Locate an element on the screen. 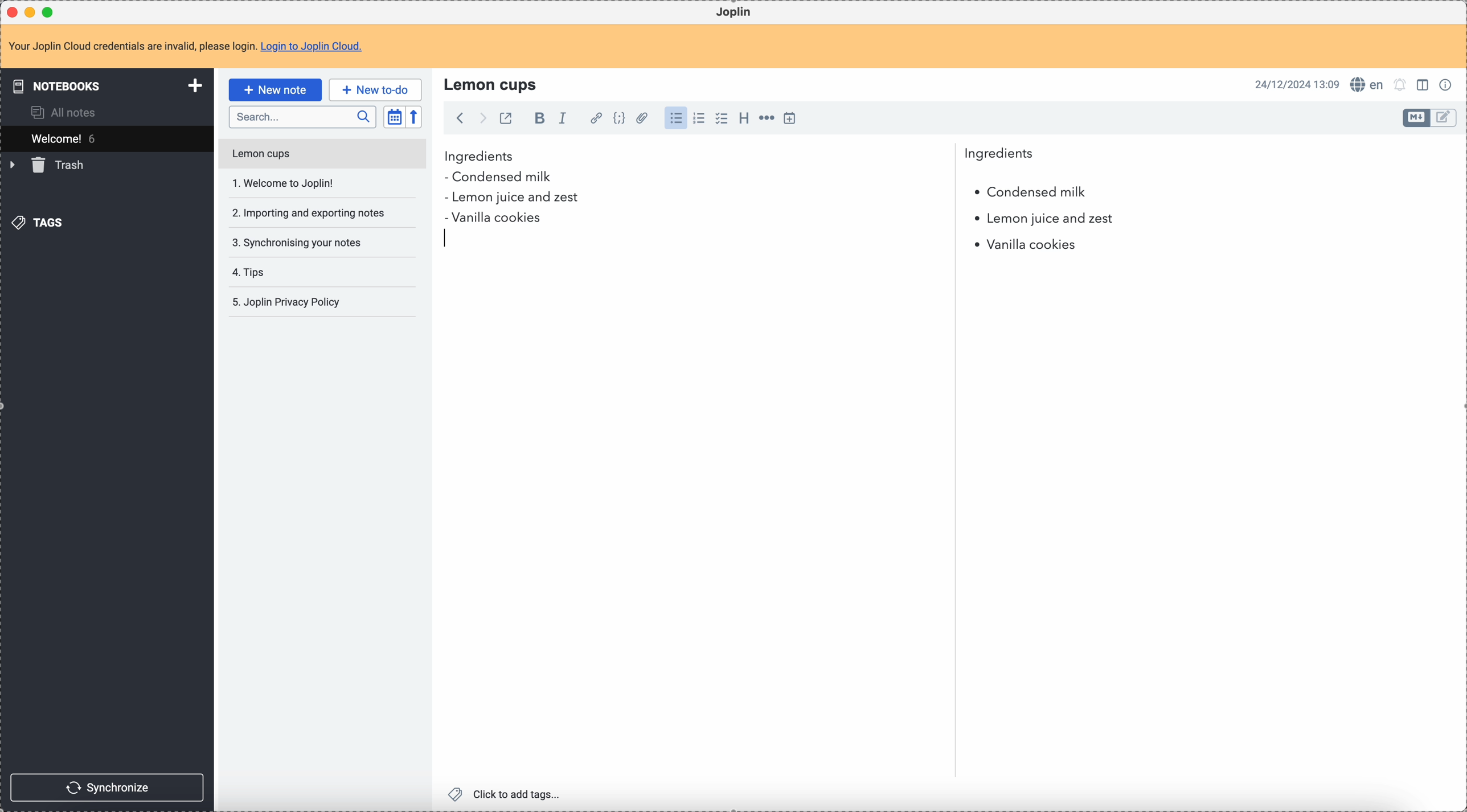 The image size is (1467, 812). lemon juice and is located at coordinates (1043, 220).